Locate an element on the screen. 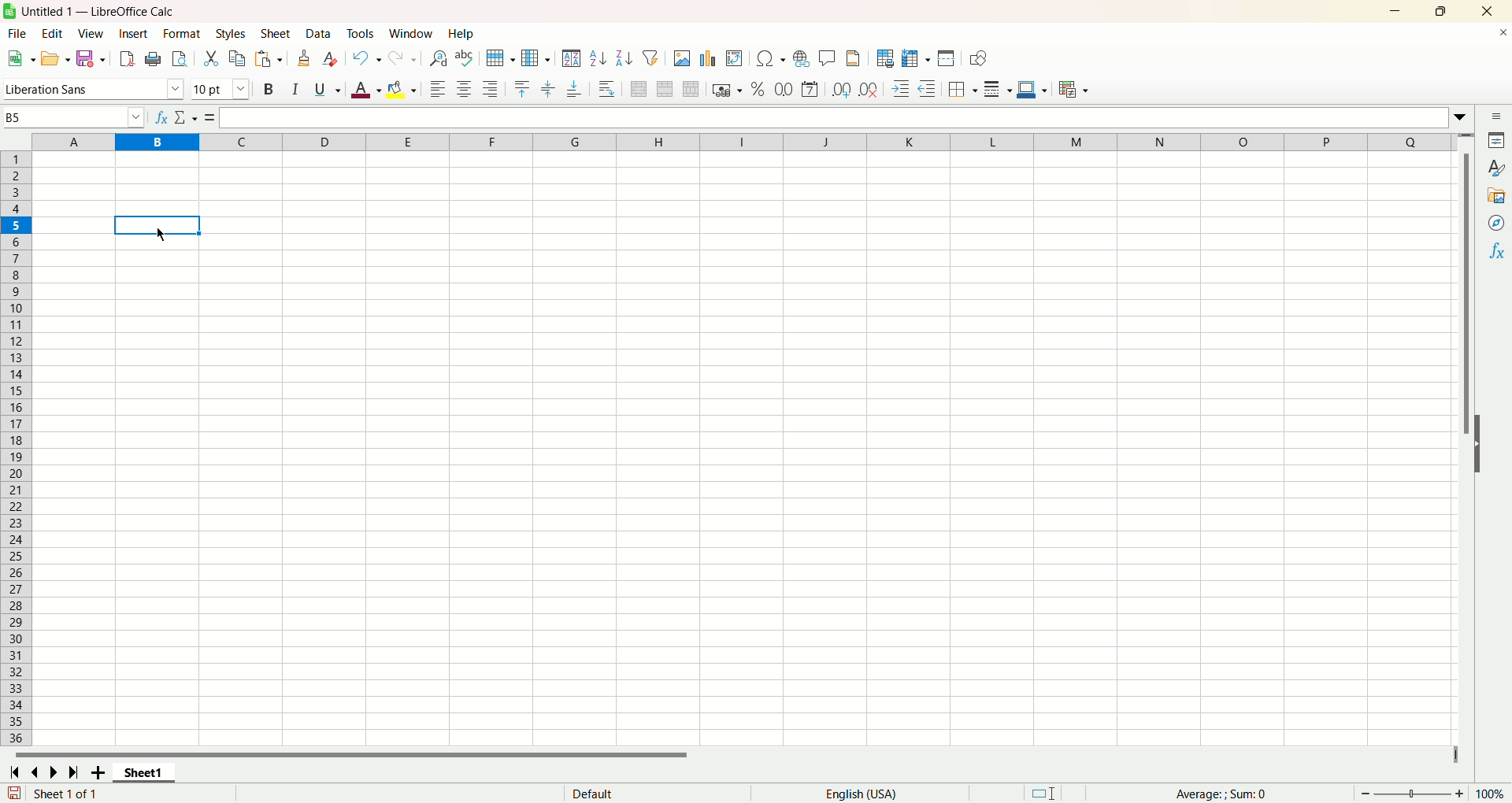 The width and height of the screenshot is (1512, 803). conditional is located at coordinates (1075, 91).